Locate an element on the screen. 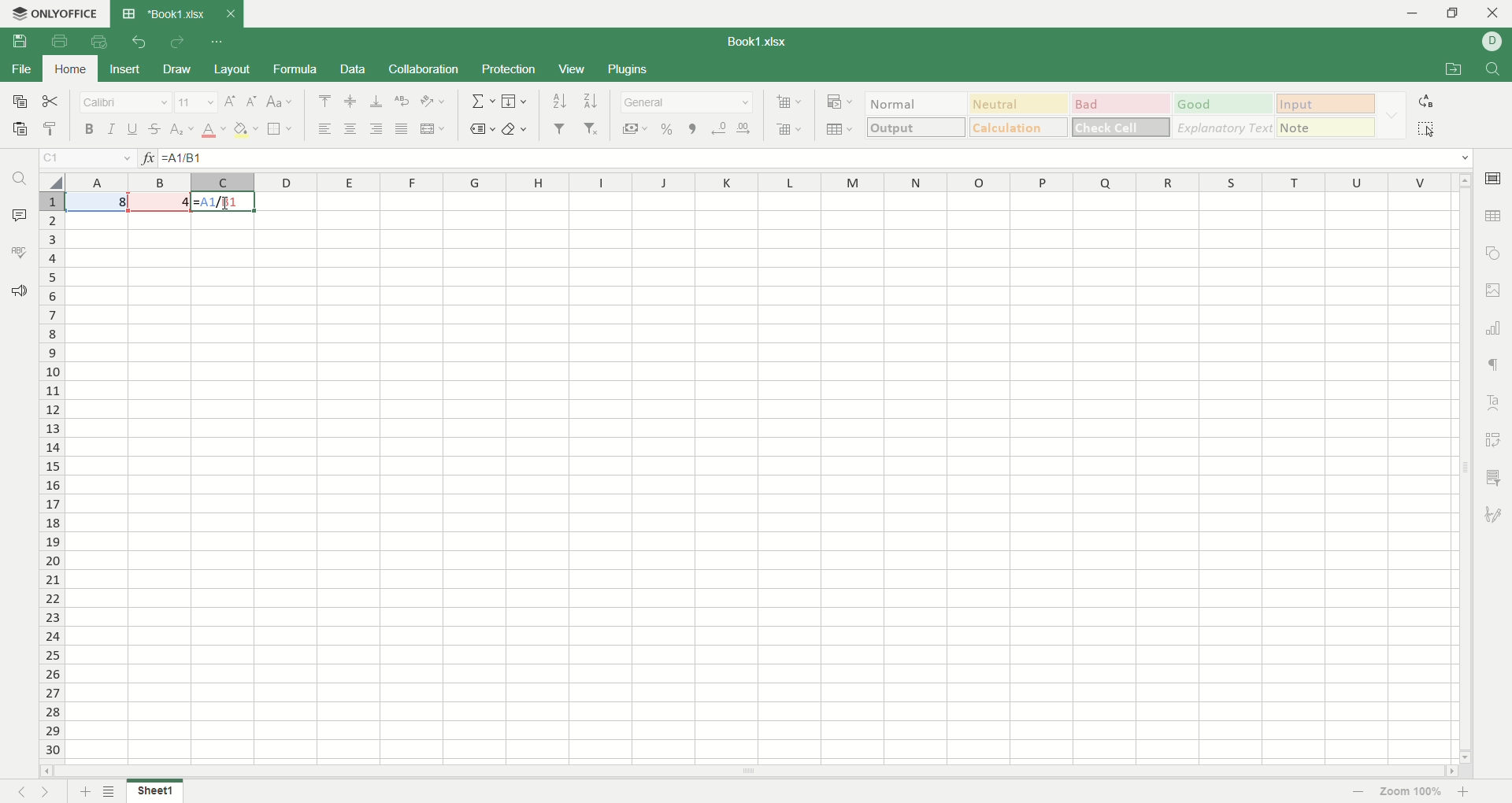 The width and height of the screenshot is (1512, 803). =A1/B1 is located at coordinates (223, 201).